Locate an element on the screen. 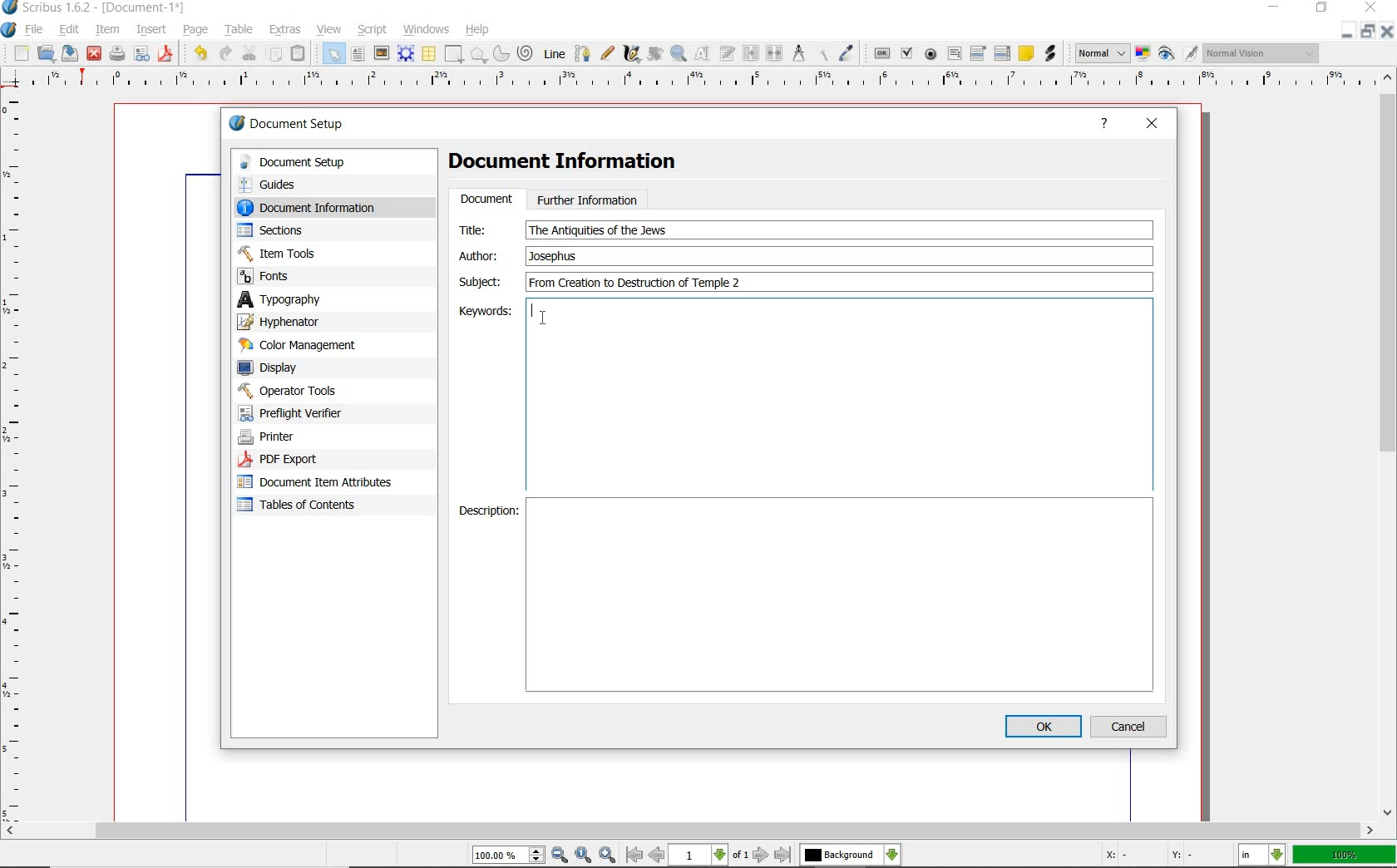  copy is located at coordinates (274, 53).